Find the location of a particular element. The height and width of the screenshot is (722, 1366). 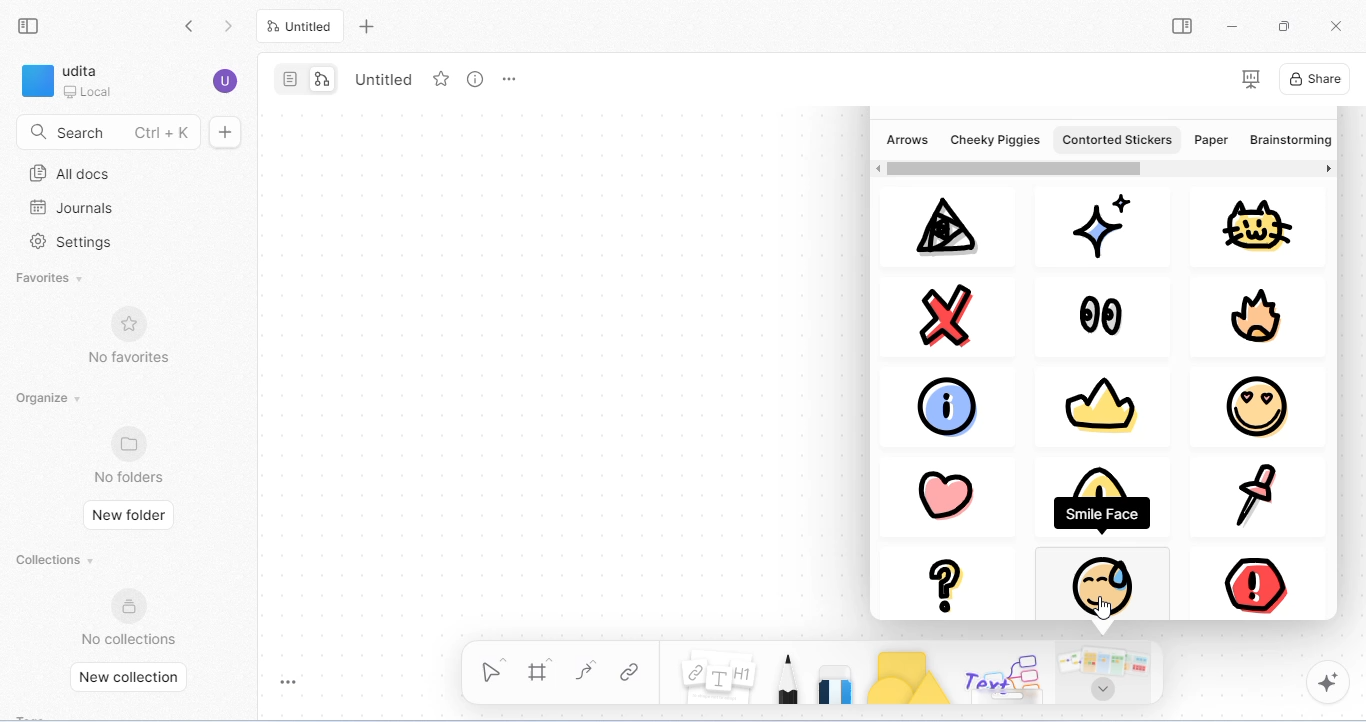

new folder is located at coordinates (130, 514).